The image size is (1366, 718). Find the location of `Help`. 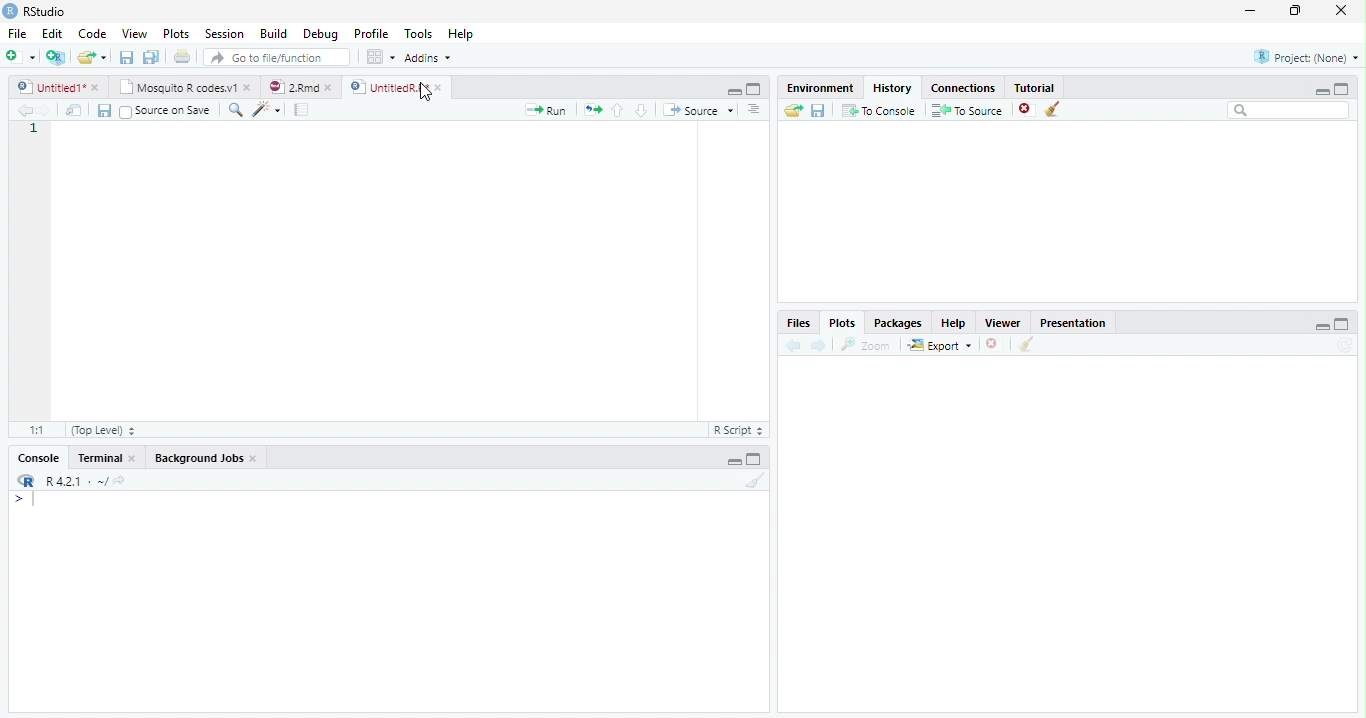

Help is located at coordinates (460, 36).